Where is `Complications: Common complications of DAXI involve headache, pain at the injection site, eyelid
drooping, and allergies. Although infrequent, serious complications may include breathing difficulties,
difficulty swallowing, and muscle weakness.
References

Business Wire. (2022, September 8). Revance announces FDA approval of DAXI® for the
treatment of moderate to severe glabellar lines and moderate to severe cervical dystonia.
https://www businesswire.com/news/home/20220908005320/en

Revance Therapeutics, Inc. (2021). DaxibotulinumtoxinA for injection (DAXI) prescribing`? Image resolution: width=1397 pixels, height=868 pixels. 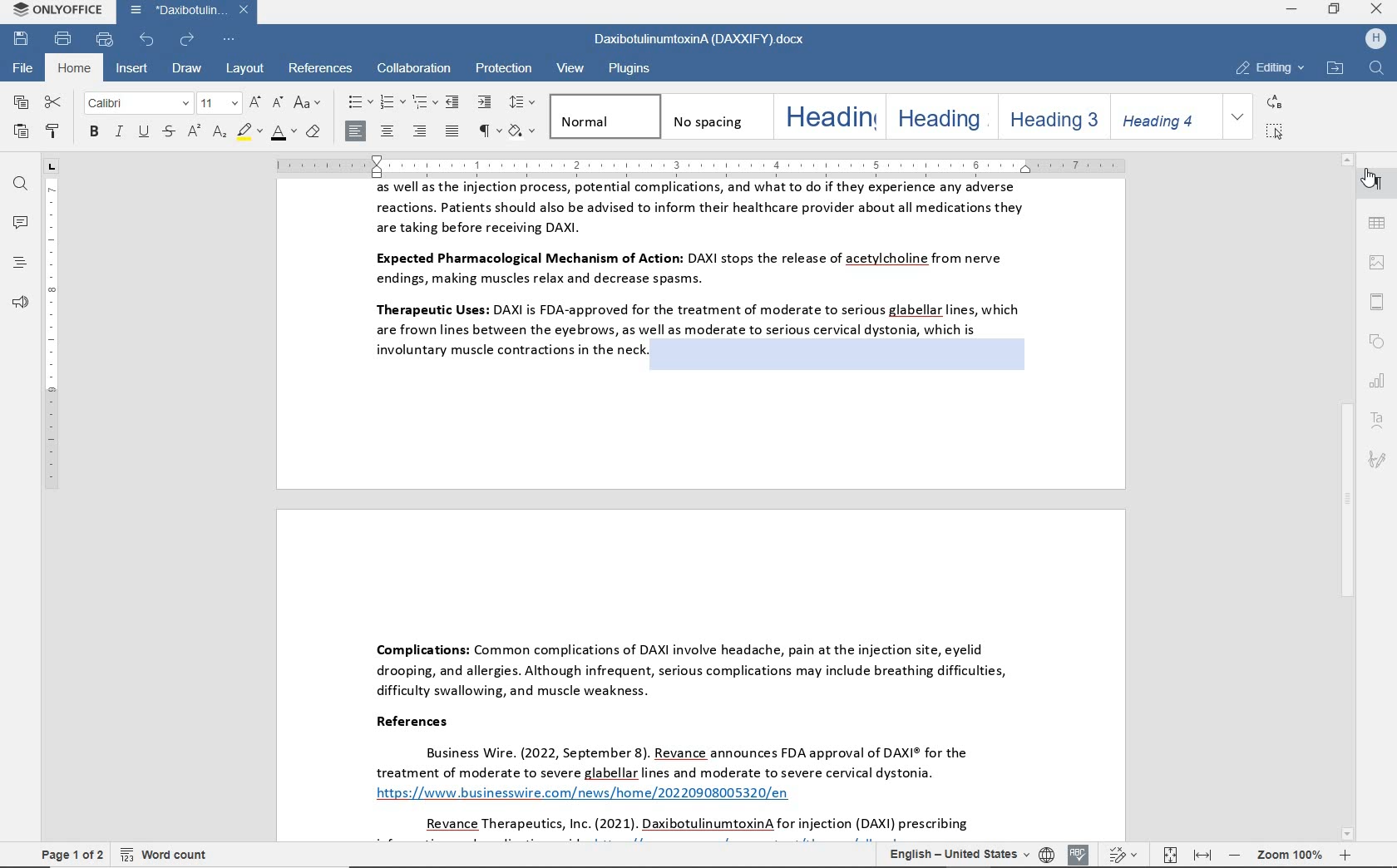
Complications: Common complications of DAXI involve headache, pain at the injection site, eyelid
drooping, and allergies. Although infrequent, serious complications may include breathing difficulties,
difficulty swallowing, and muscle weakness.
References

Business Wire. (2022, September 8). Revance announces FDA approval of DAXI® for the
treatment of moderate to severe glabellar lines and moderate to severe cervical dystonia.
https://www businesswire.com/news/home/20220908005320/en

Revance Therapeutics, Inc. (2021). DaxibotulinumtoxinA for injection (DAXI) prescribing is located at coordinates (699, 674).